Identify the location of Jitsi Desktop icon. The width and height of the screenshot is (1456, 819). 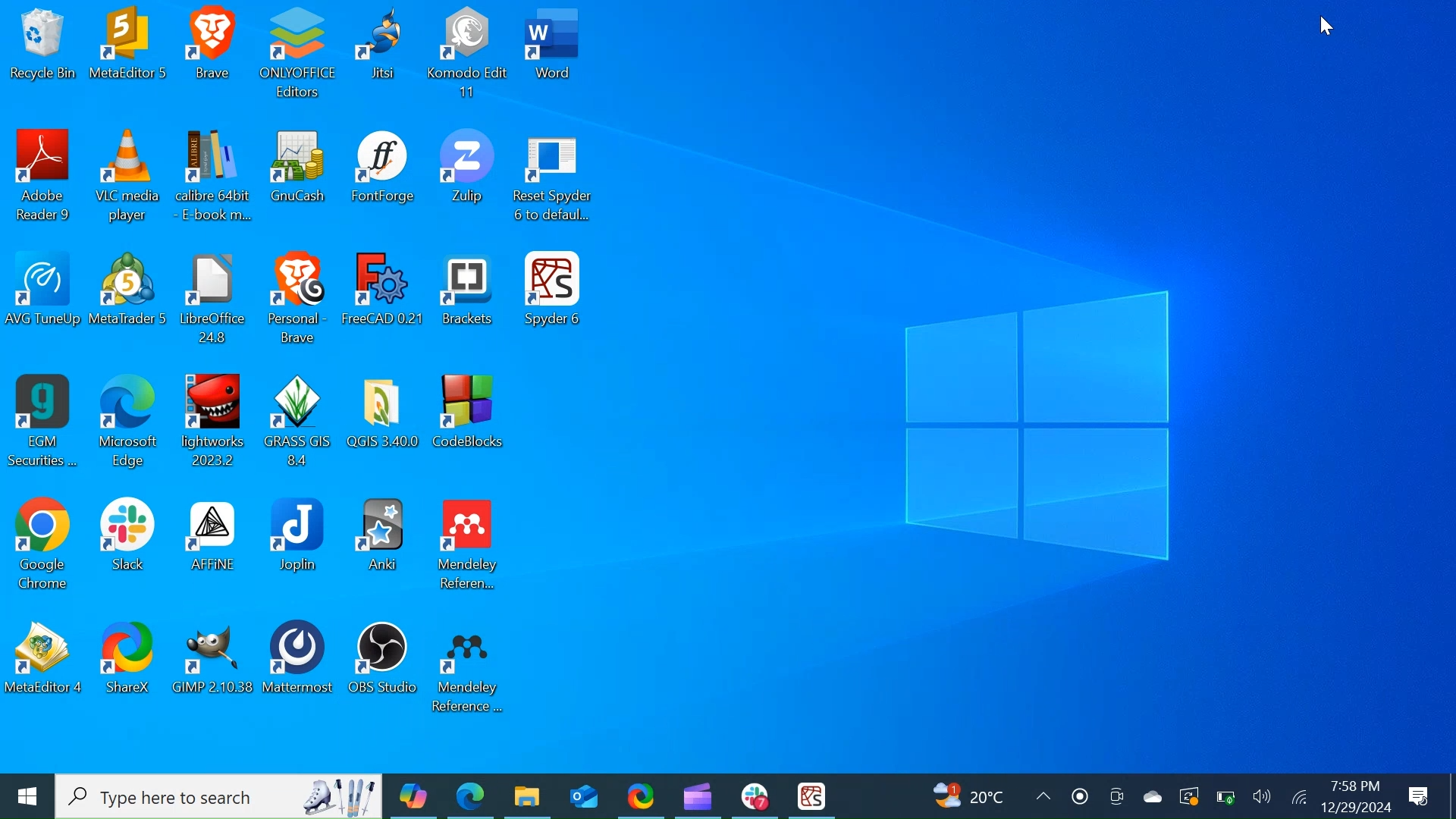
(381, 52).